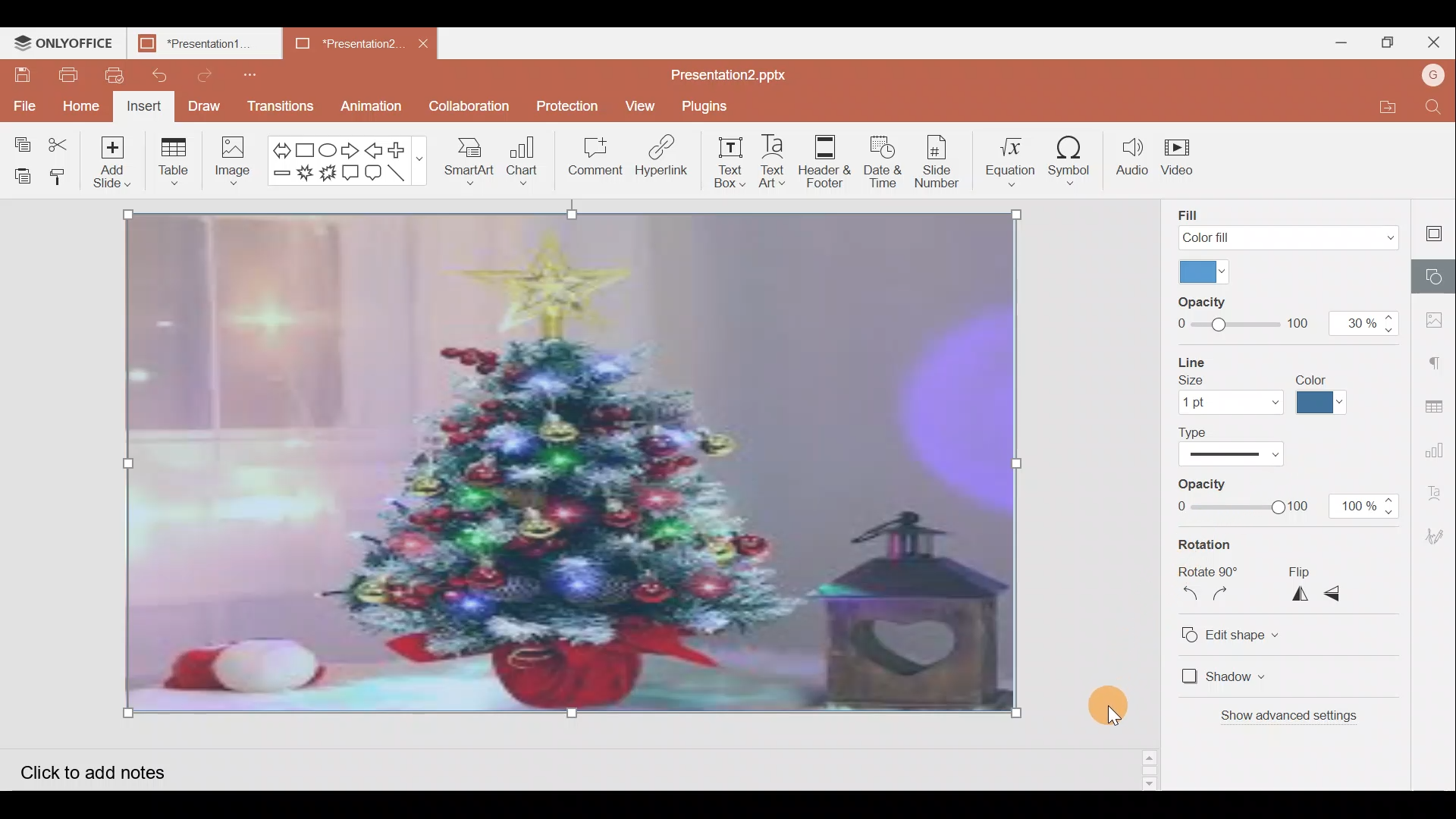  Describe the element at coordinates (1437, 229) in the screenshot. I see `Slide settings` at that location.